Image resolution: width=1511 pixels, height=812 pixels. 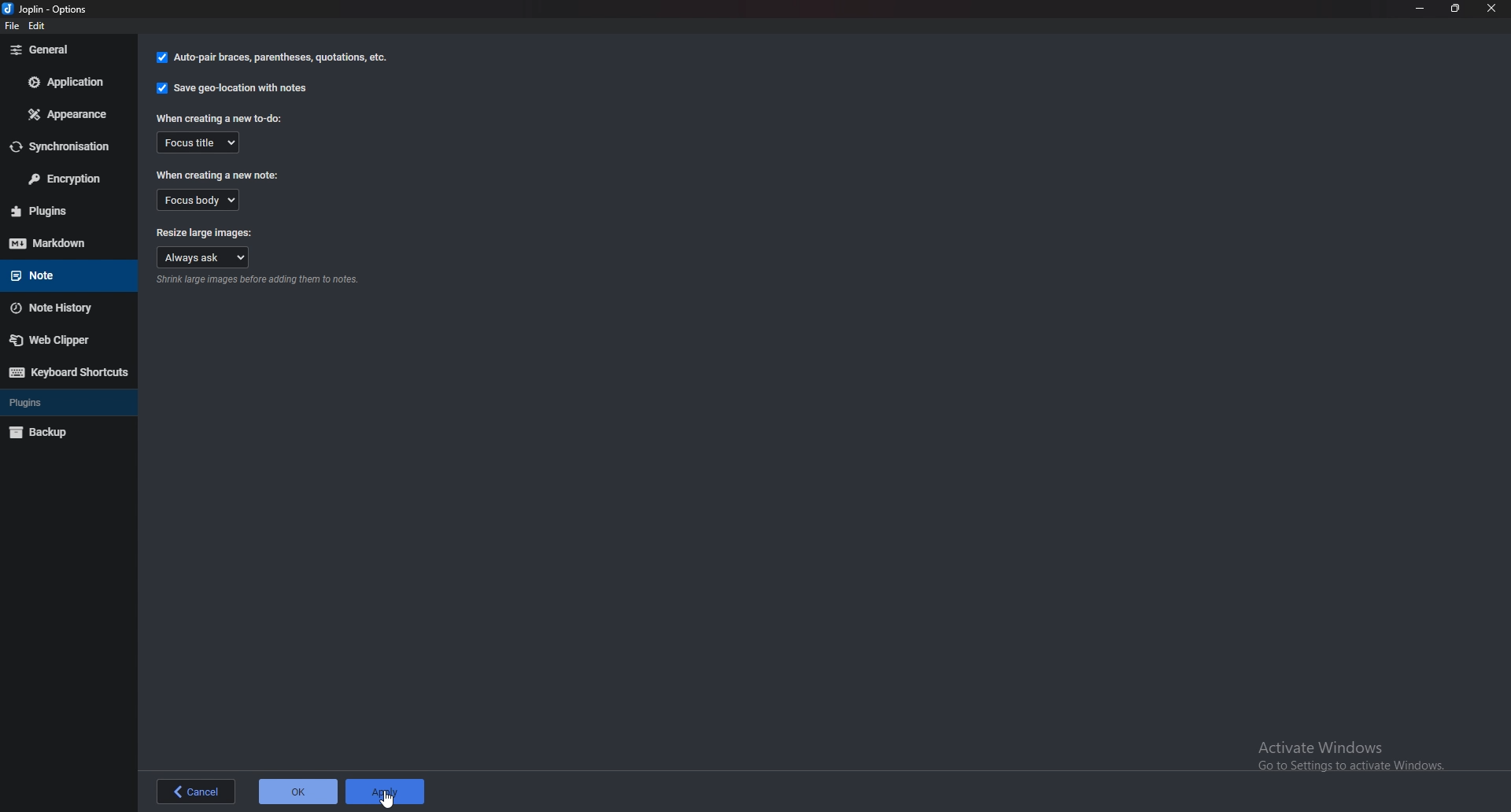 I want to click on encryption, so click(x=69, y=179).